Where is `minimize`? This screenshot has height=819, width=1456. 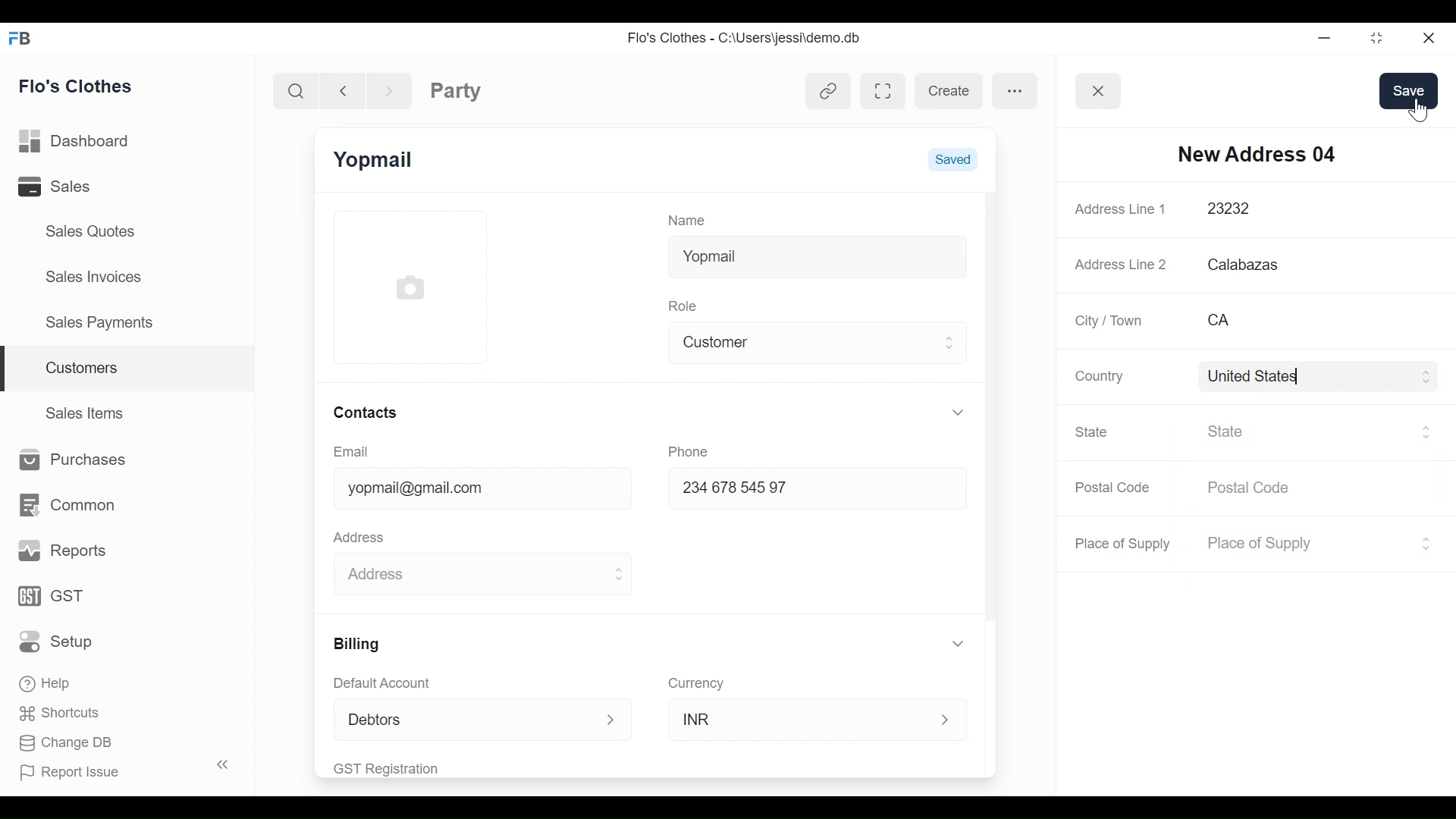 minimize is located at coordinates (1323, 37).